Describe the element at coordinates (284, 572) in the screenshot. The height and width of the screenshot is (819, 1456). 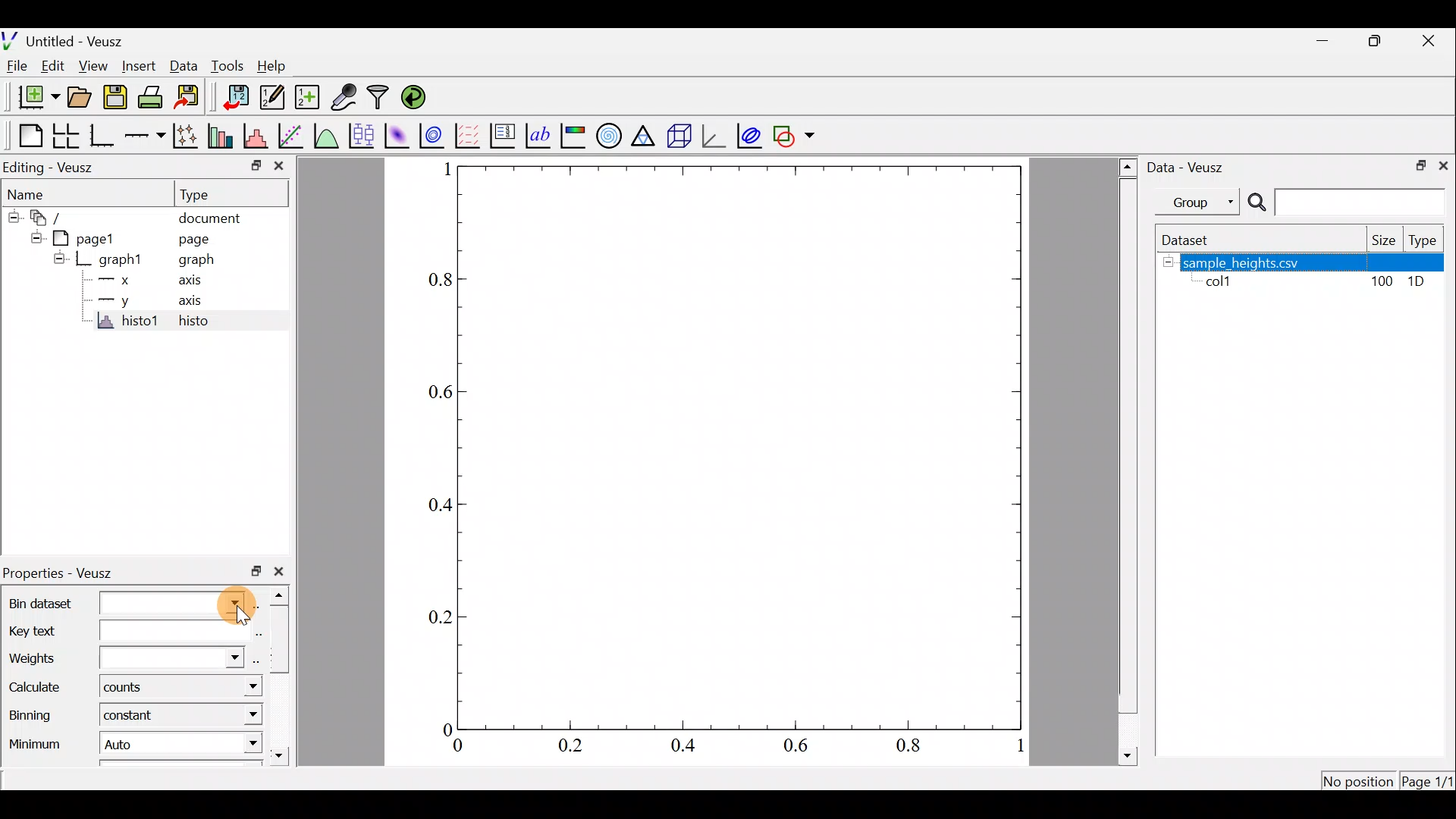
I see `close` at that location.